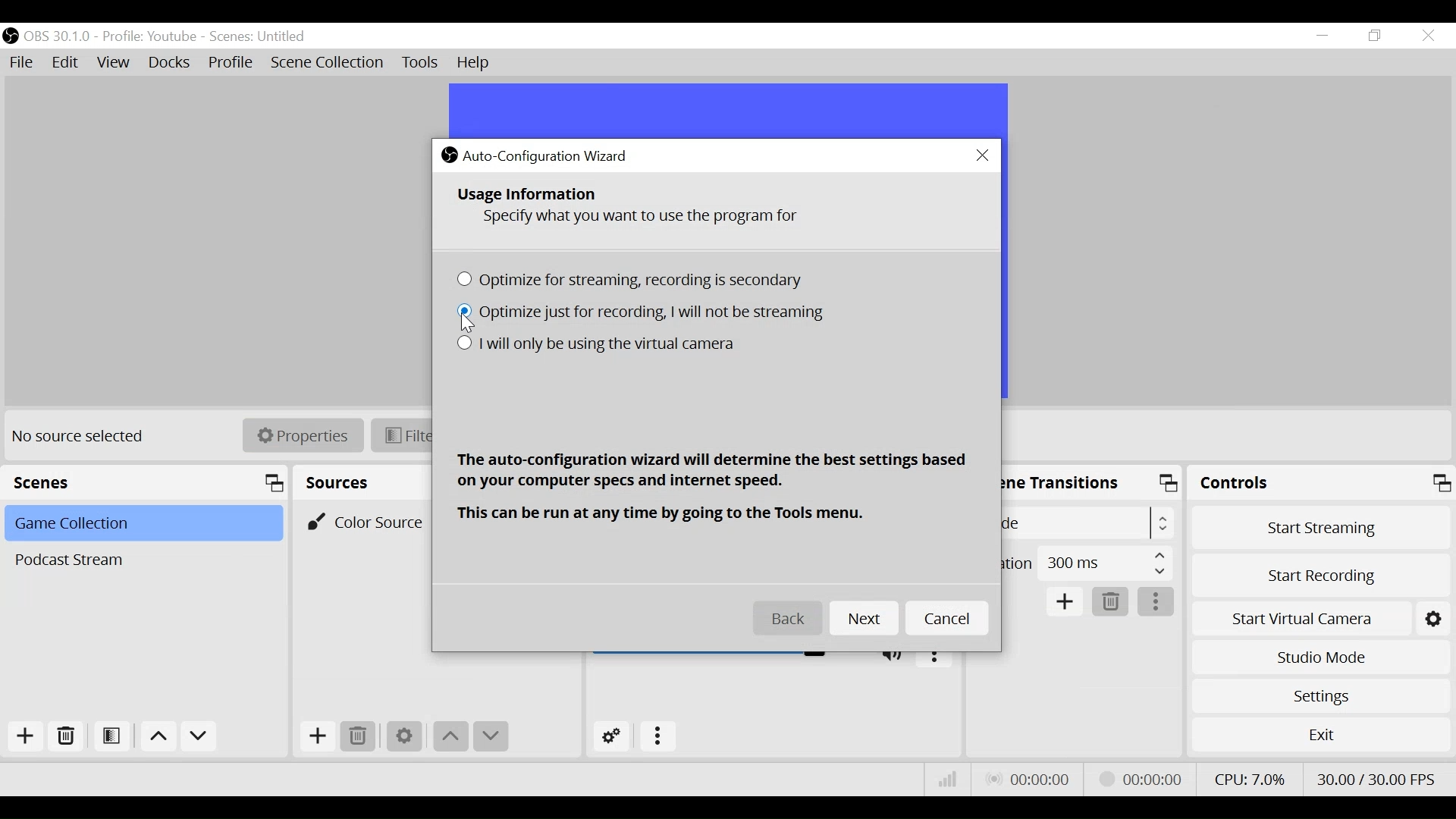 Image resolution: width=1456 pixels, height=819 pixels. Describe the element at coordinates (551, 155) in the screenshot. I see `Auto-Configuration Wizard` at that location.